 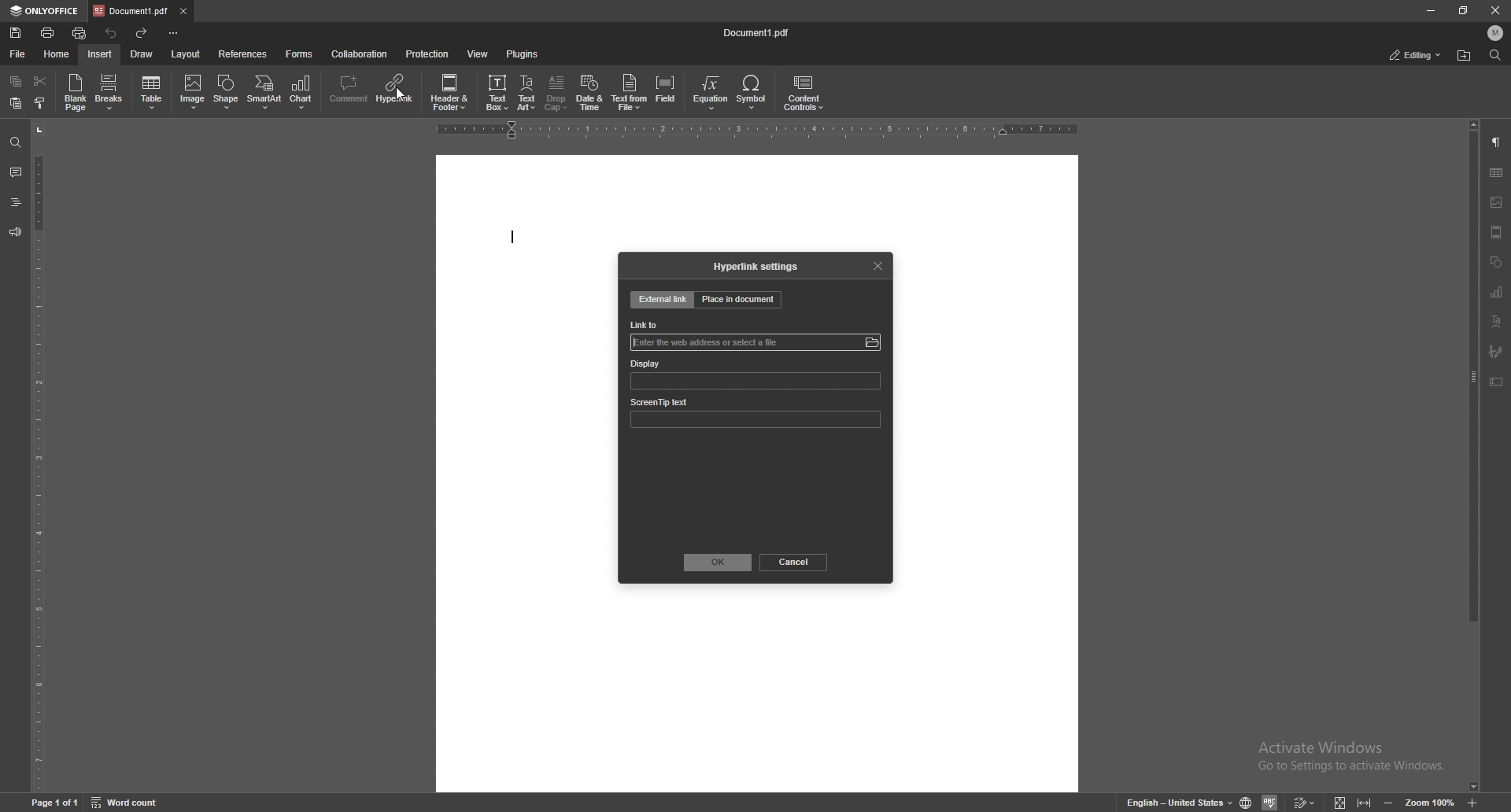 I want to click on file, so click(x=17, y=54).